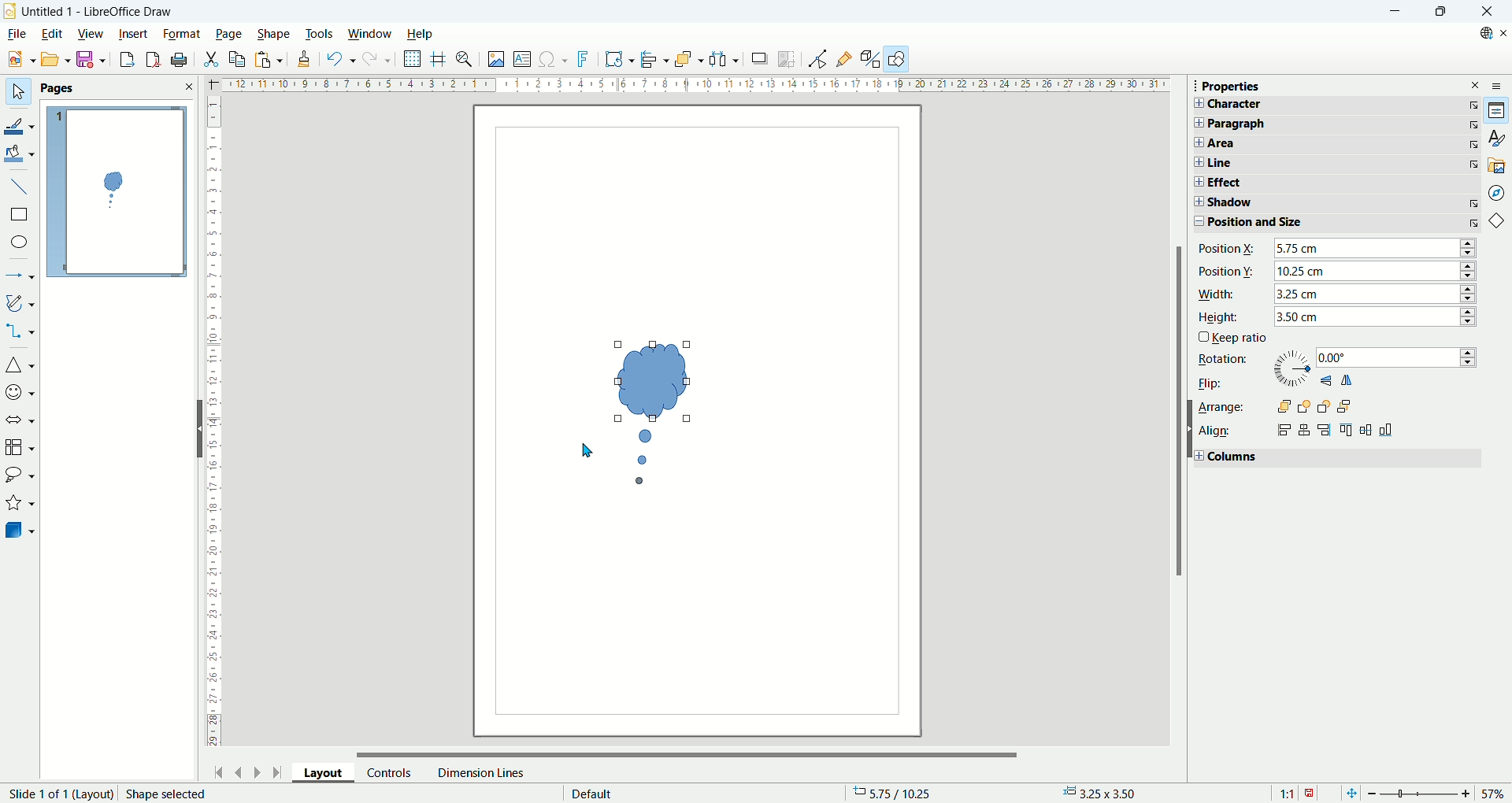 The image size is (1512, 803). I want to click on 3D object, so click(21, 531).